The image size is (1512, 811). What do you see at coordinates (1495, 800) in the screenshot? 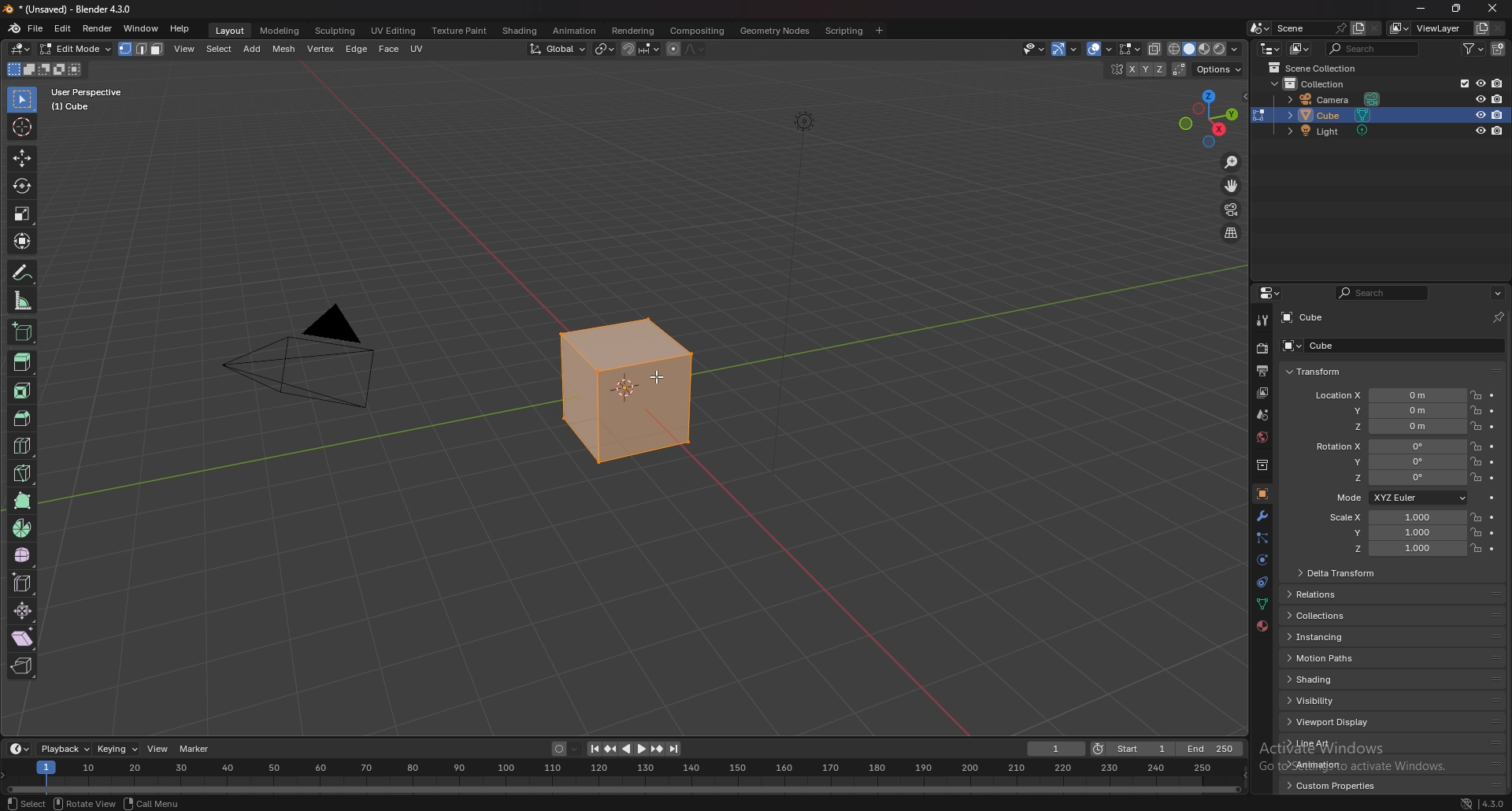
I see `version` at bounding box center [1495, 800].